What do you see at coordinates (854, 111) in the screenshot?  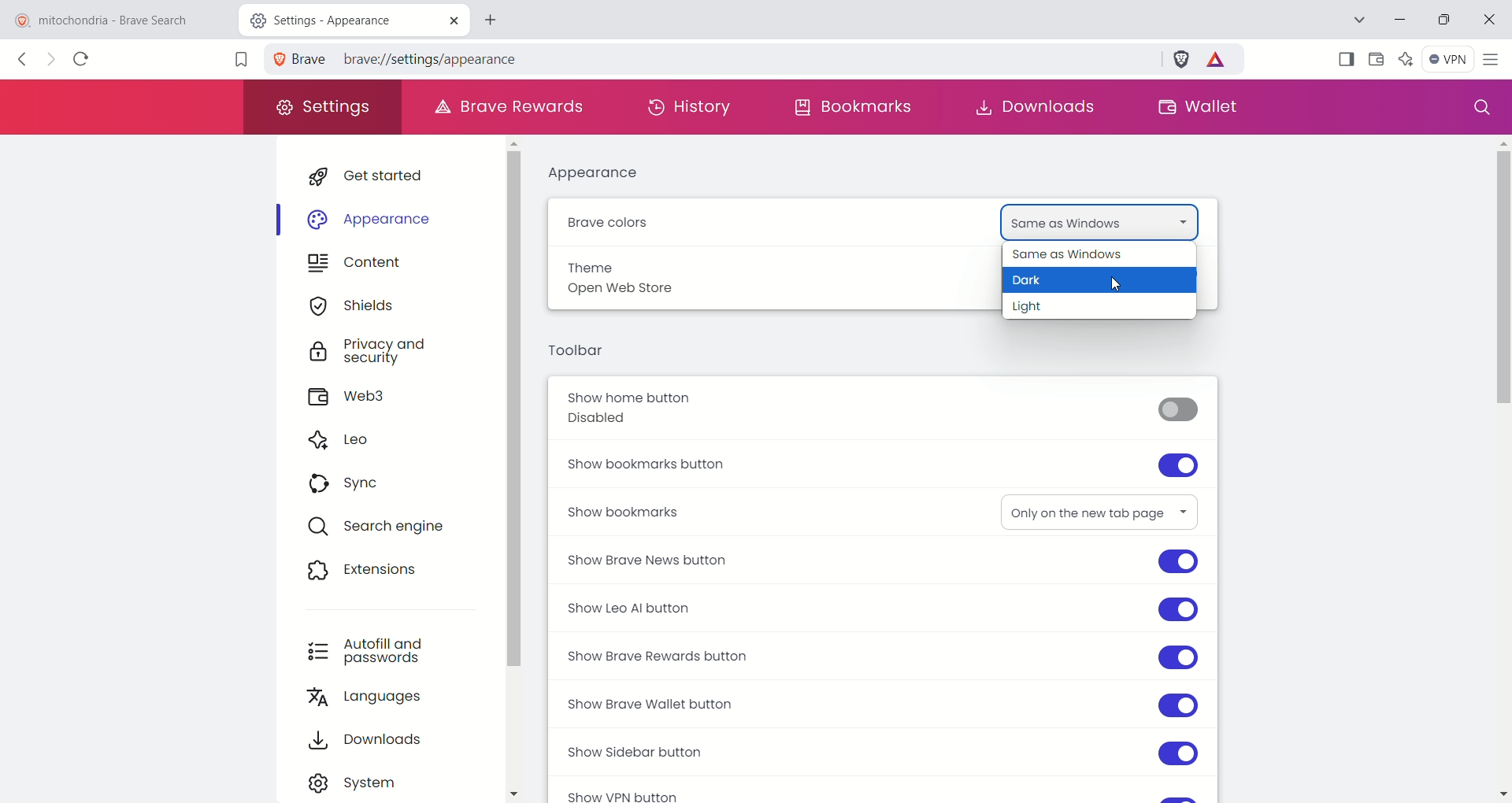 I see `bookmarks` at bounding box center [854, 111].